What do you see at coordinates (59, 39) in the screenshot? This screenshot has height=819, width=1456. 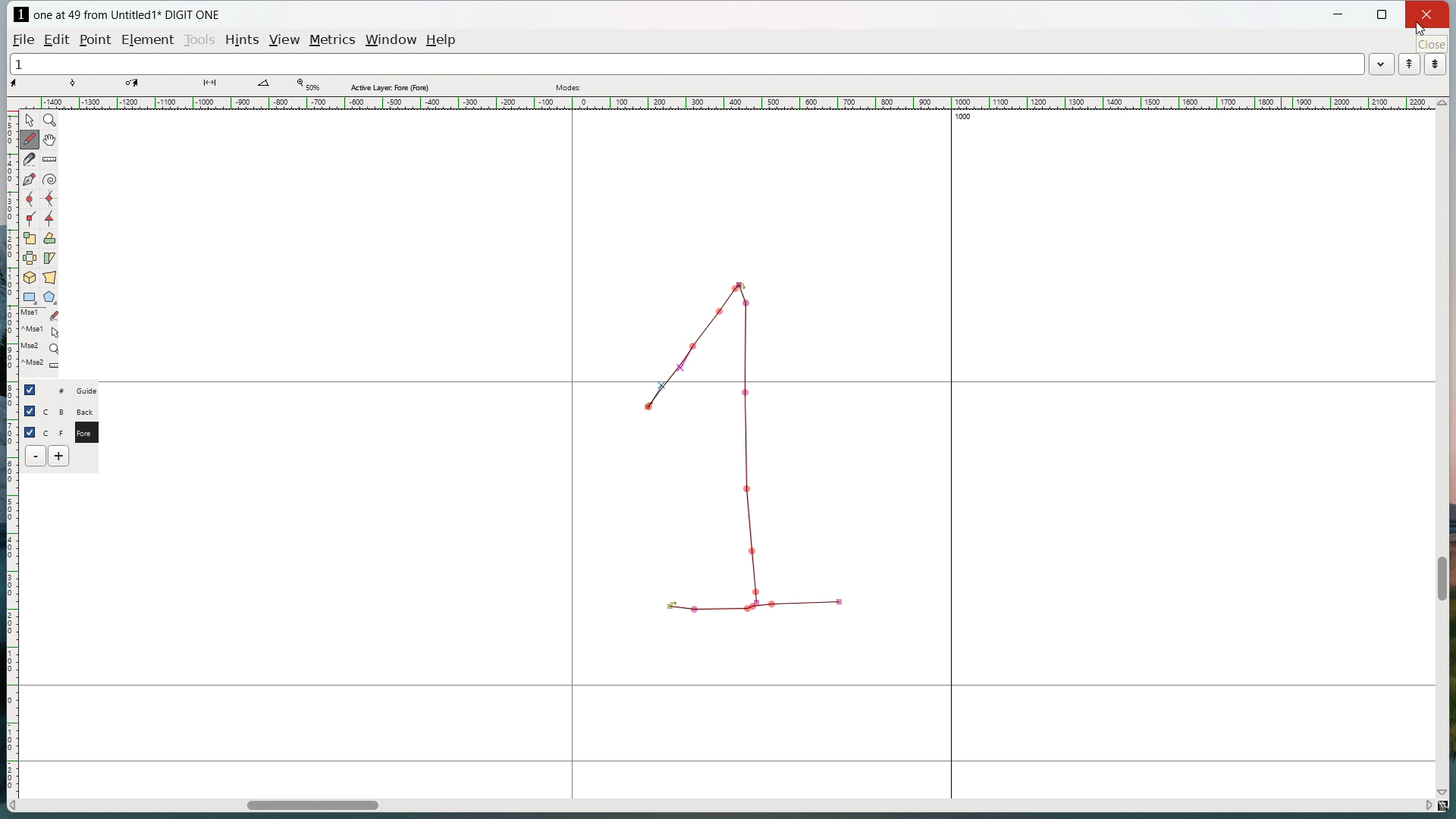 I see `edit` at bounding box center [59, 39].